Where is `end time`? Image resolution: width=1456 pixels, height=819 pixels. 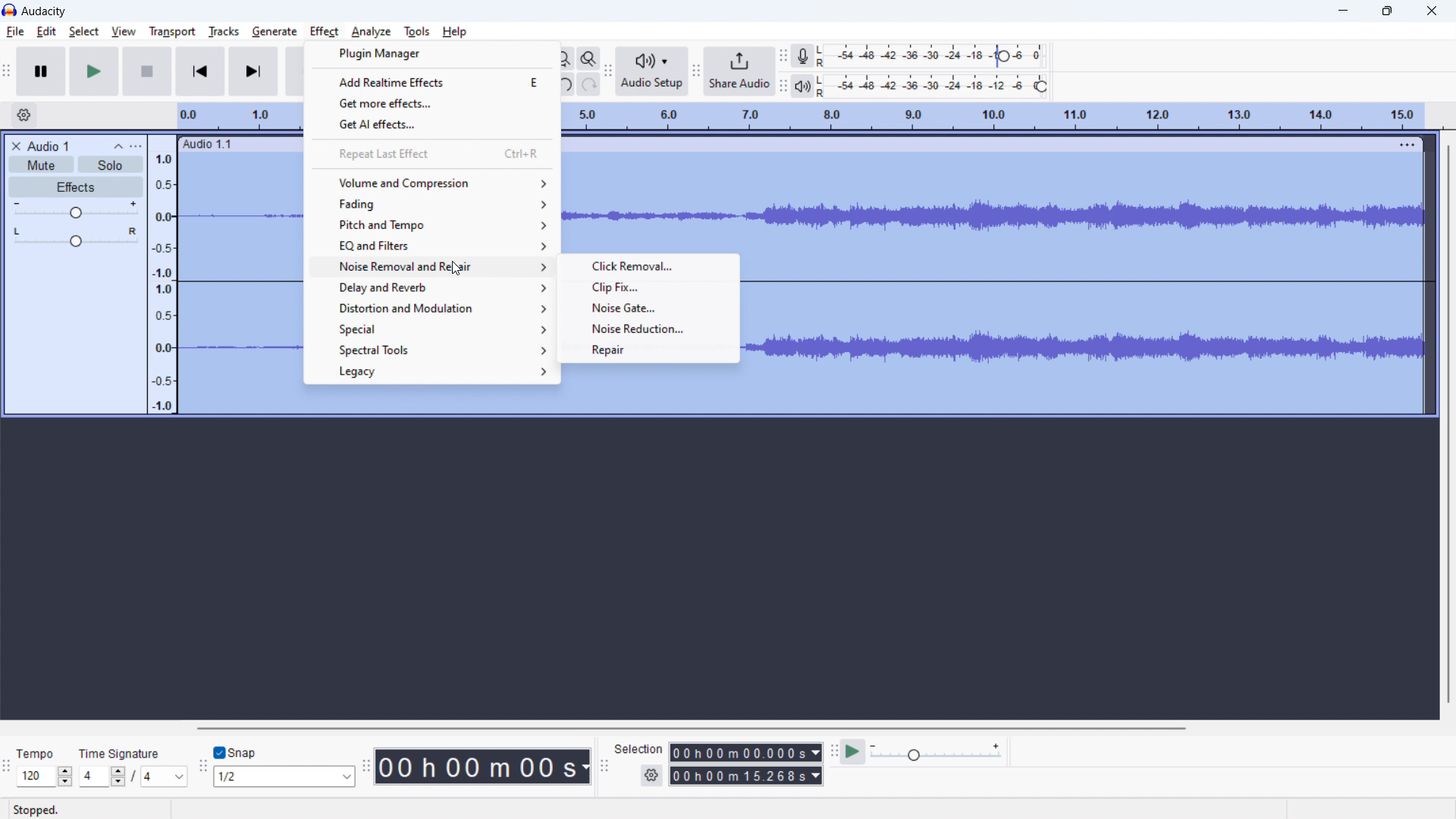 end time is located at coordinates (745, 775).